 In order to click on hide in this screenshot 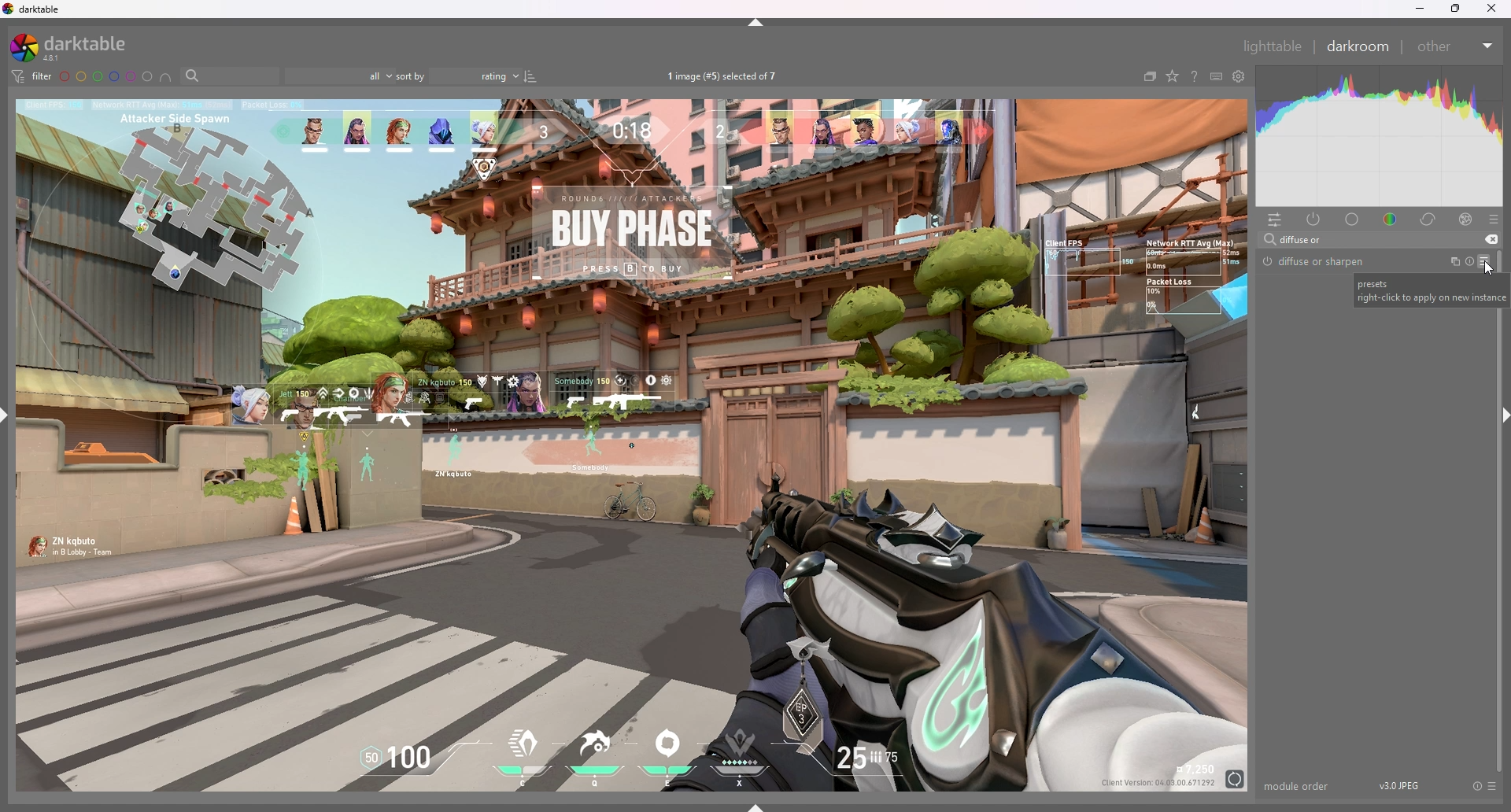, I will do `click(757, 23)`.